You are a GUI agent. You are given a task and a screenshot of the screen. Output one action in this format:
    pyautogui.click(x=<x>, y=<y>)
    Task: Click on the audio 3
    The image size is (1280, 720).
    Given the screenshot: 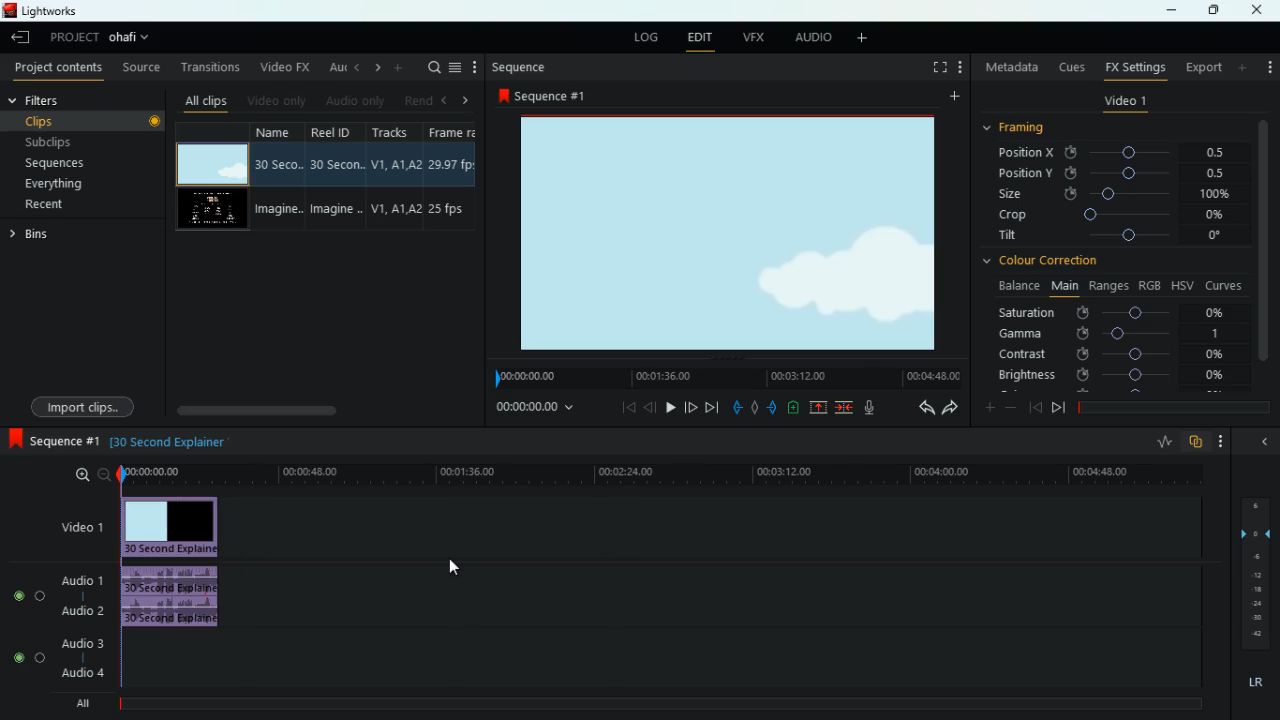 What is the action you would take?
    pyautogui.click(x=77, y=642)
    